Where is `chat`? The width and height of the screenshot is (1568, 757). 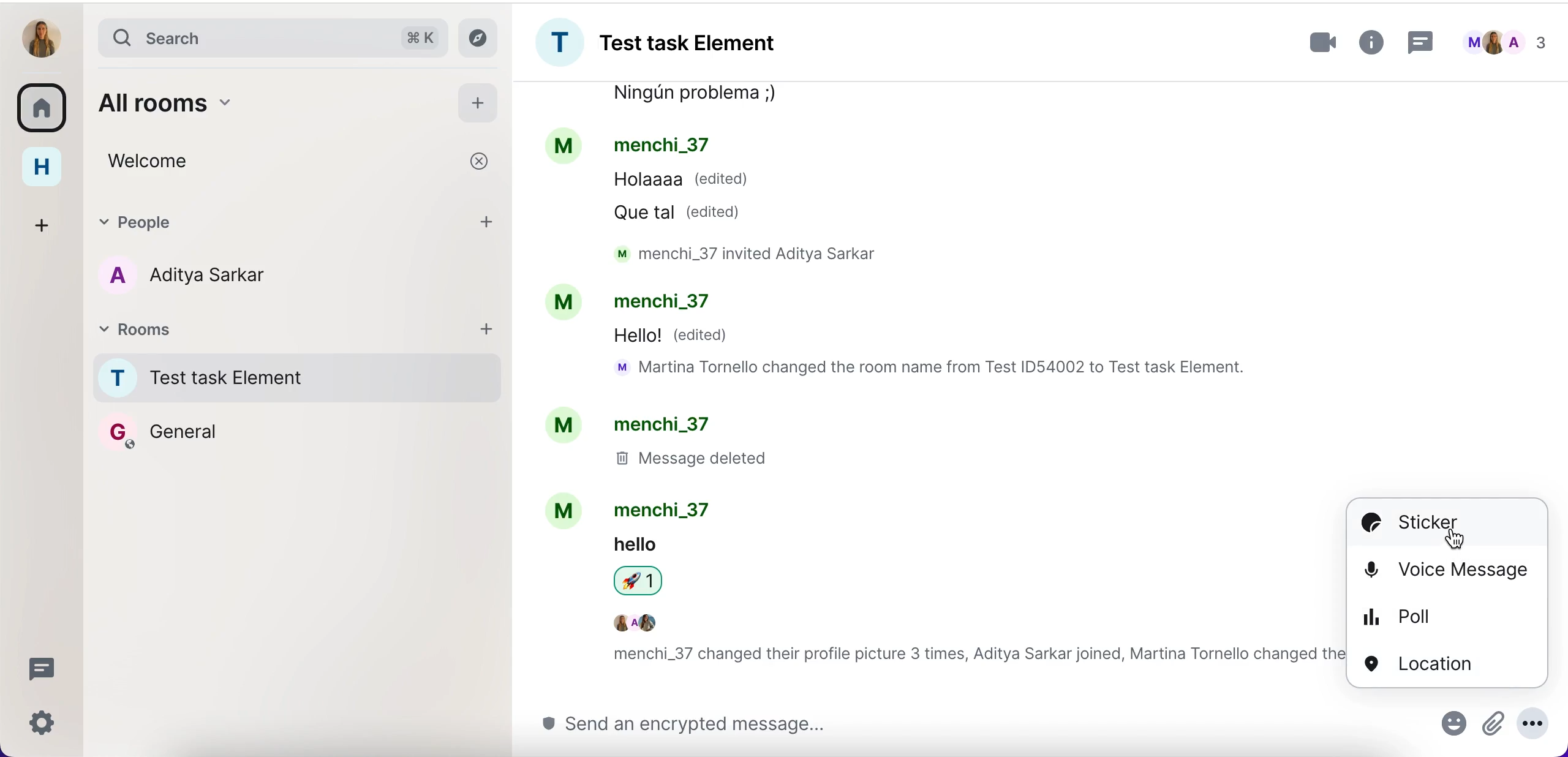
chat is located at coordinates (931, 388).